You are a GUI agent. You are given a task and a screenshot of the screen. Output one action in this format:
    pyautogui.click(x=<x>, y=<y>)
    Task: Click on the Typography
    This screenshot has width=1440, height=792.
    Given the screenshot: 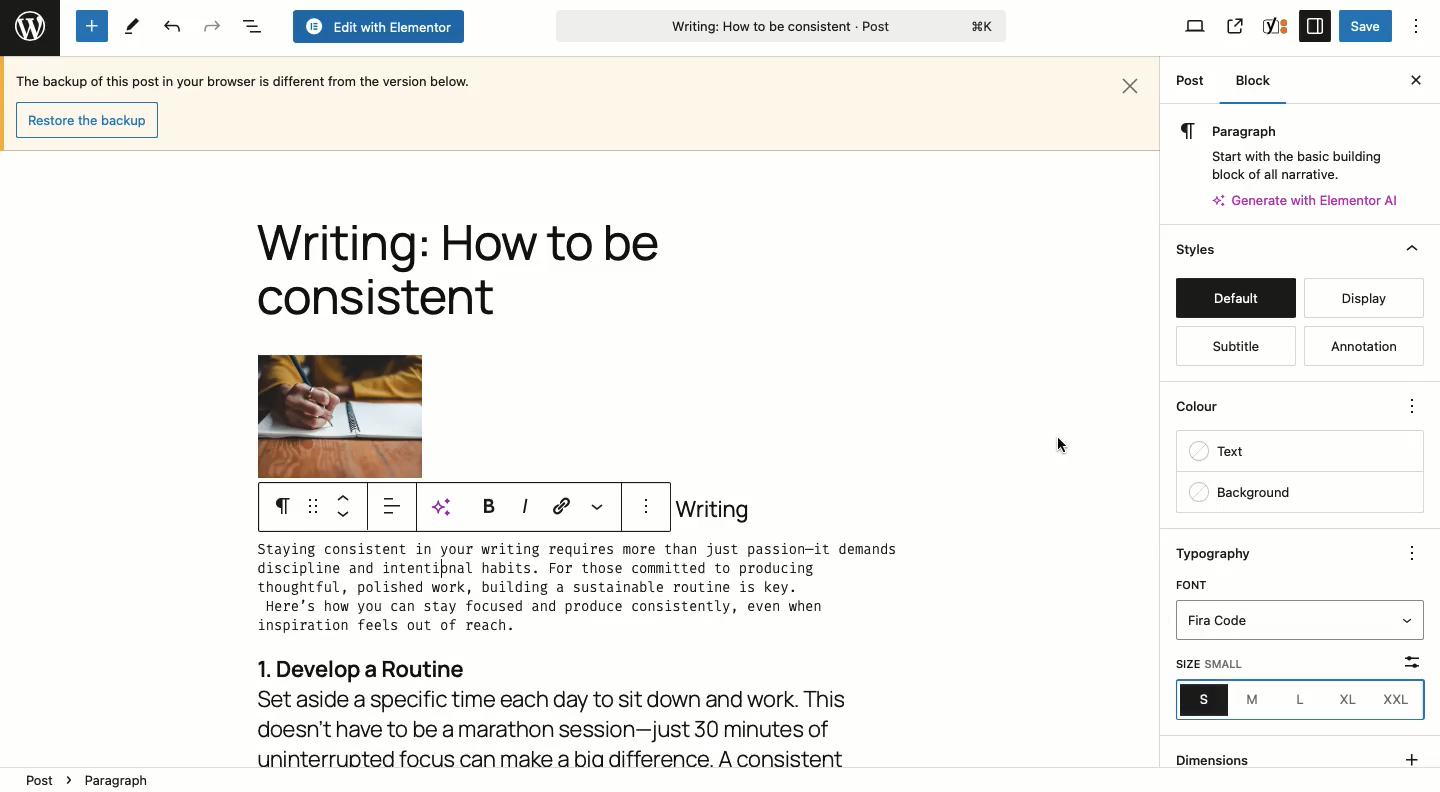 What is the action you would take?
    pyautogui.click(x=1226, y=553)
    